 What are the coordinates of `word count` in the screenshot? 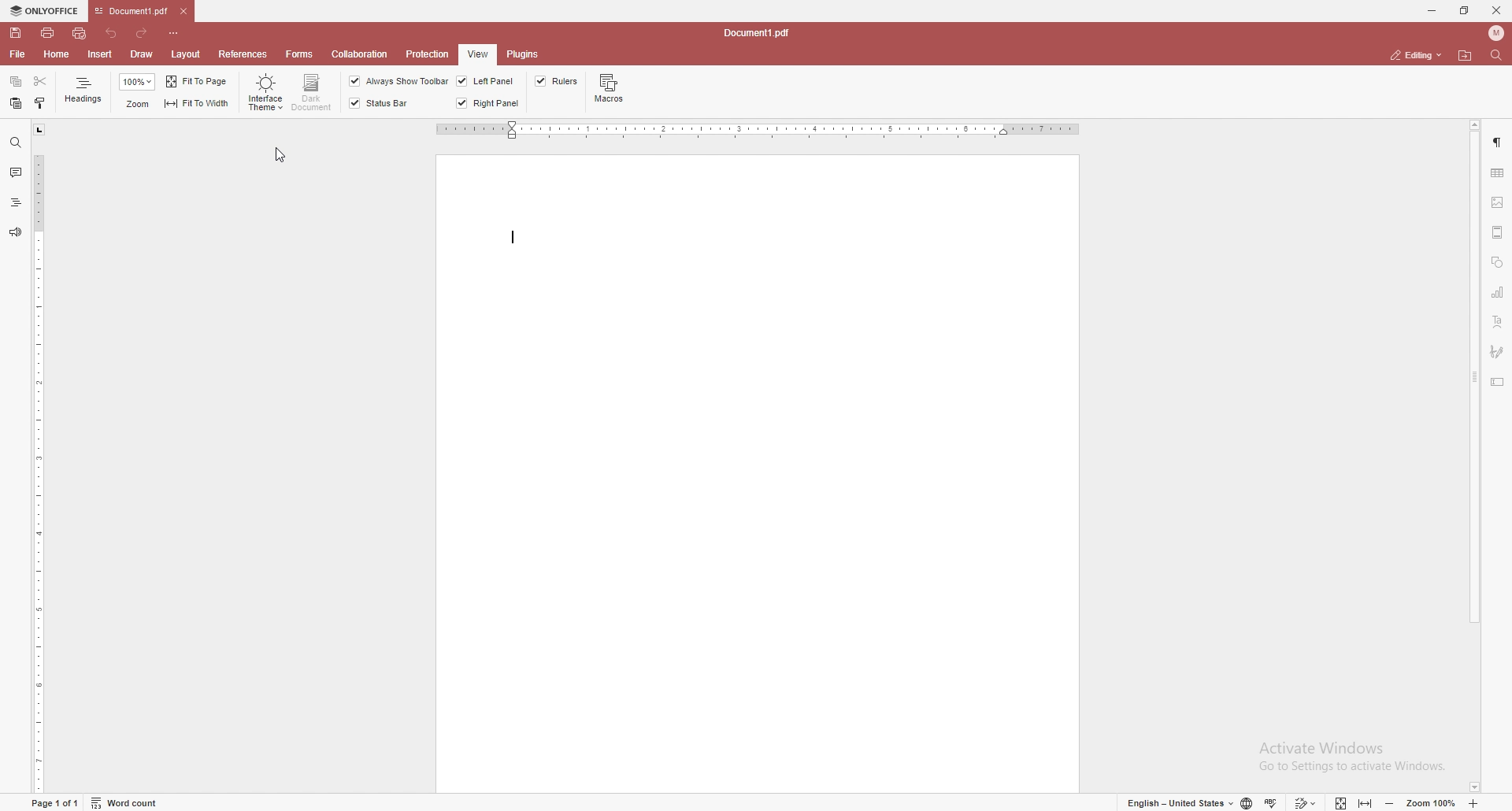 It's located at (128, 802).